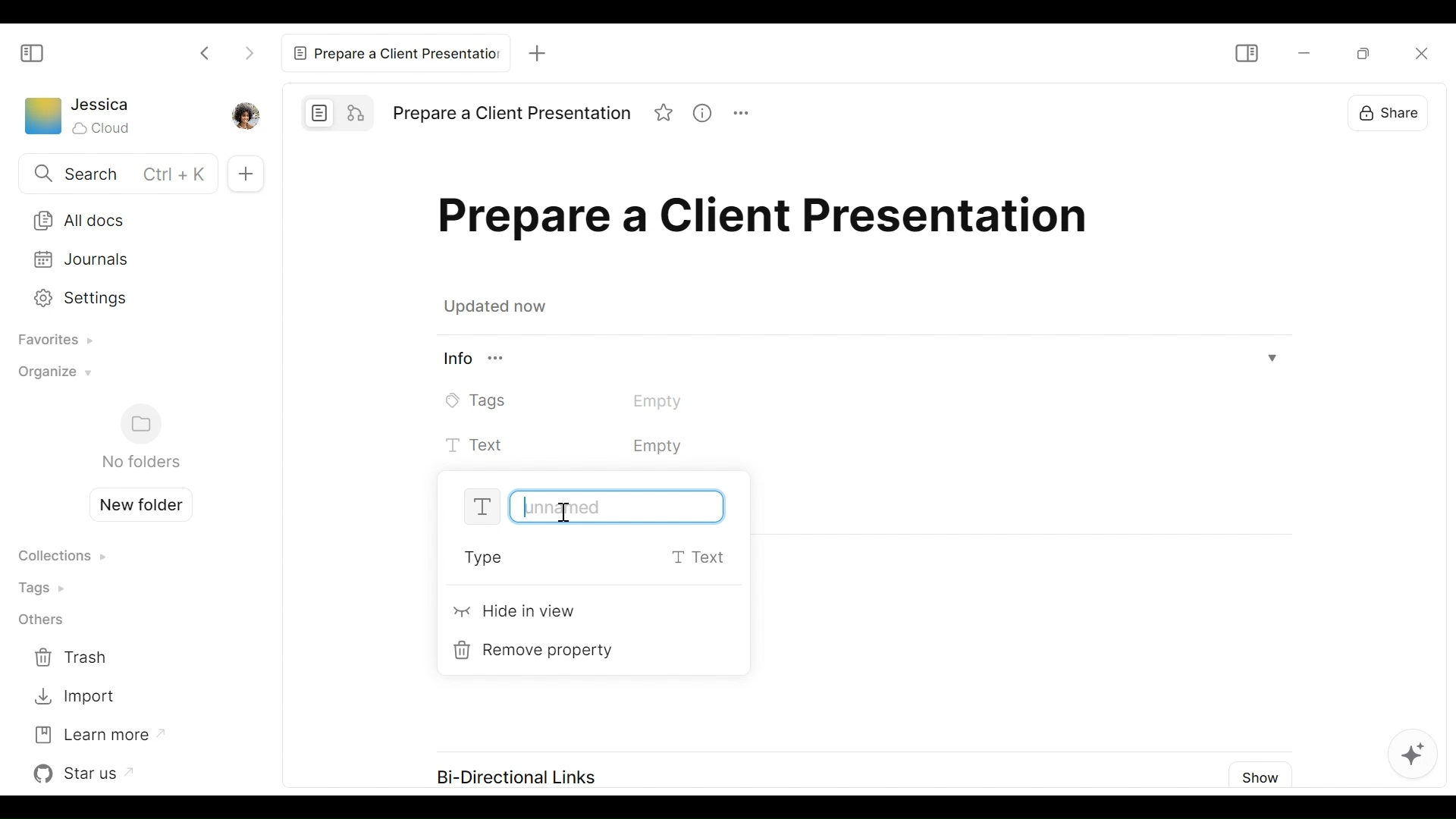  Describe the element at coordinates (103, 128) in the screenshot. I see `Cloud` at that location.